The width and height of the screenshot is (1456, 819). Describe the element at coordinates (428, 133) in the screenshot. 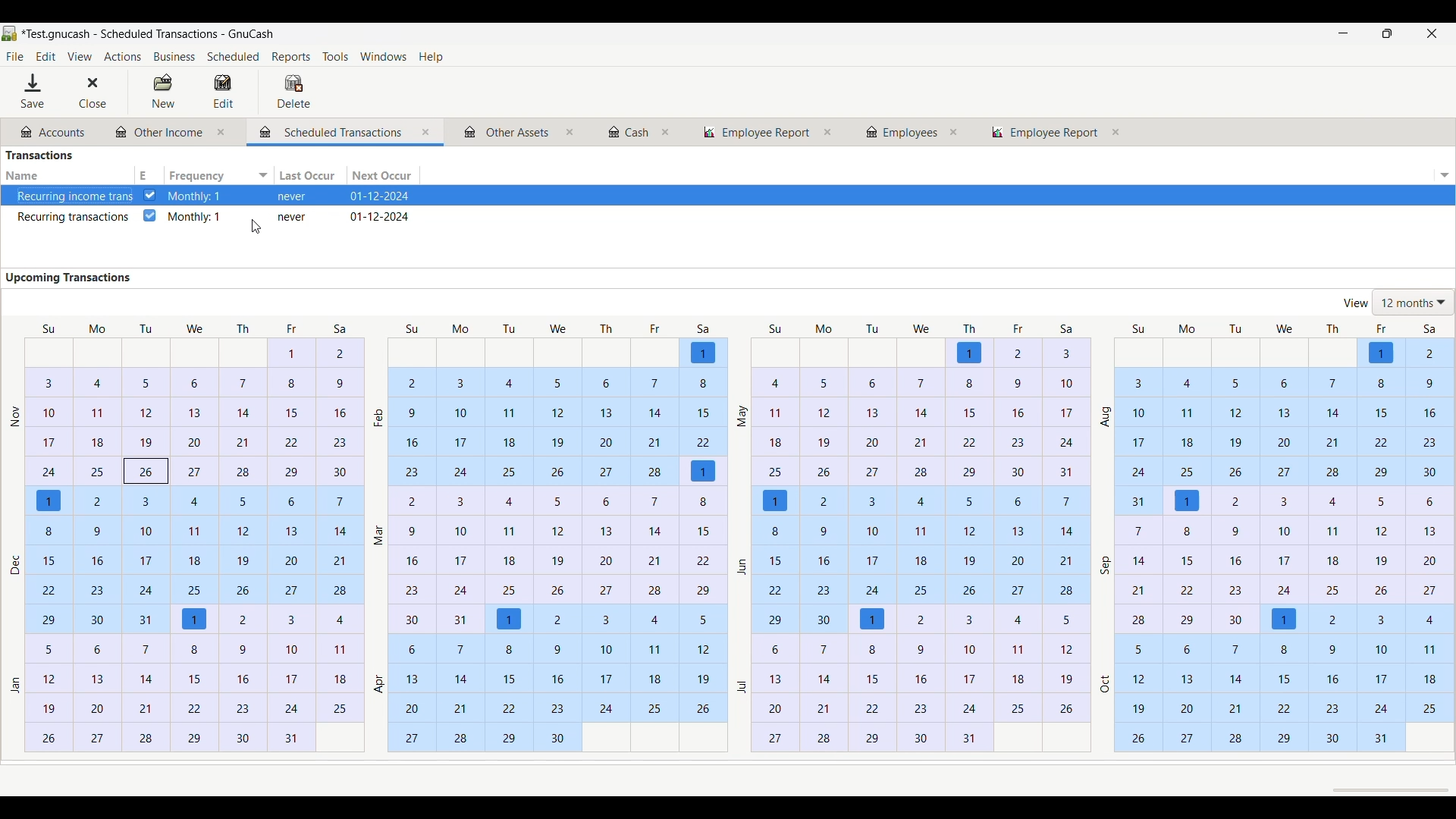

I see `Close scheduled transaction` at that location.